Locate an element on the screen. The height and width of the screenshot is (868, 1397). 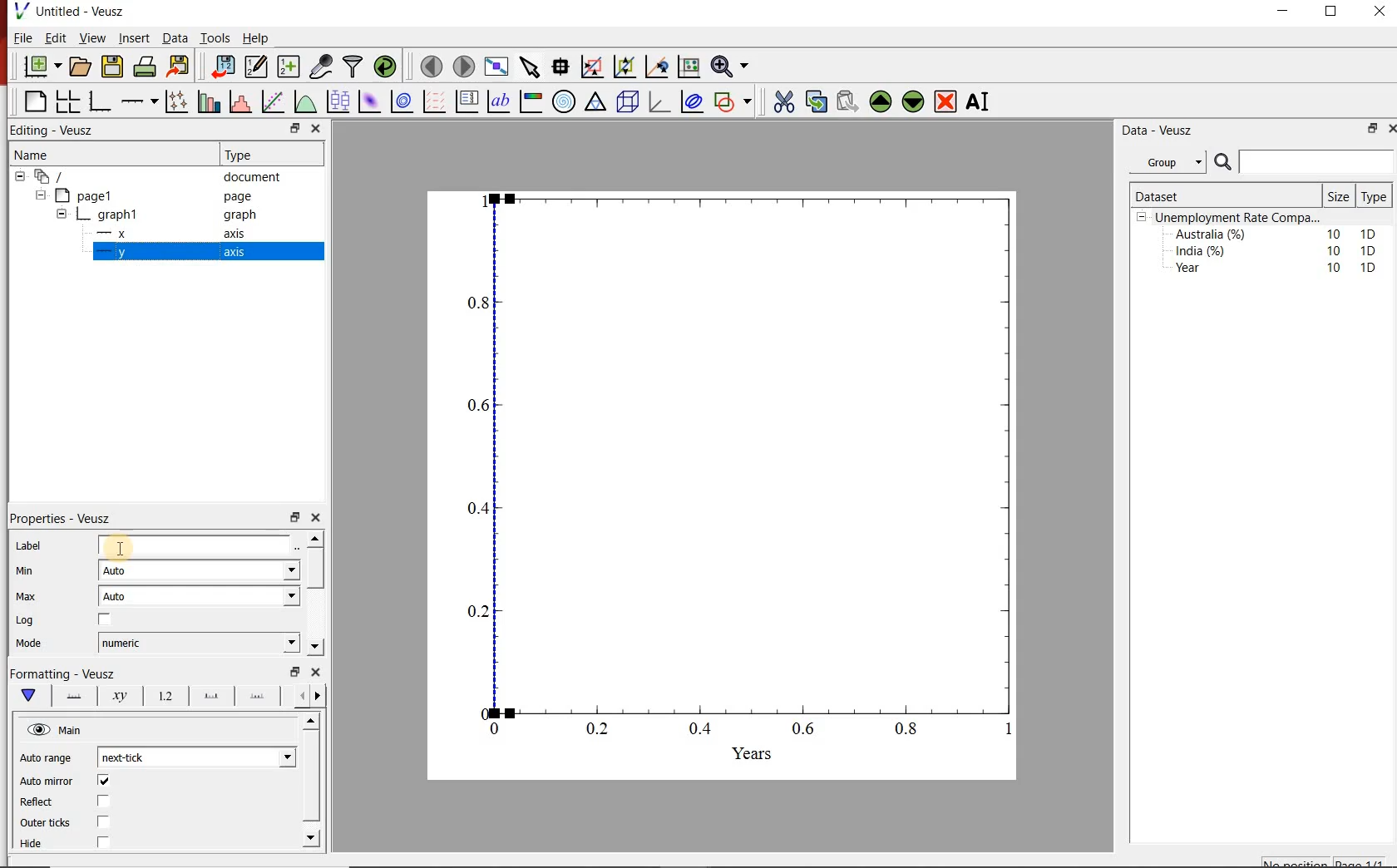
View is located at coordinates (91, 38).